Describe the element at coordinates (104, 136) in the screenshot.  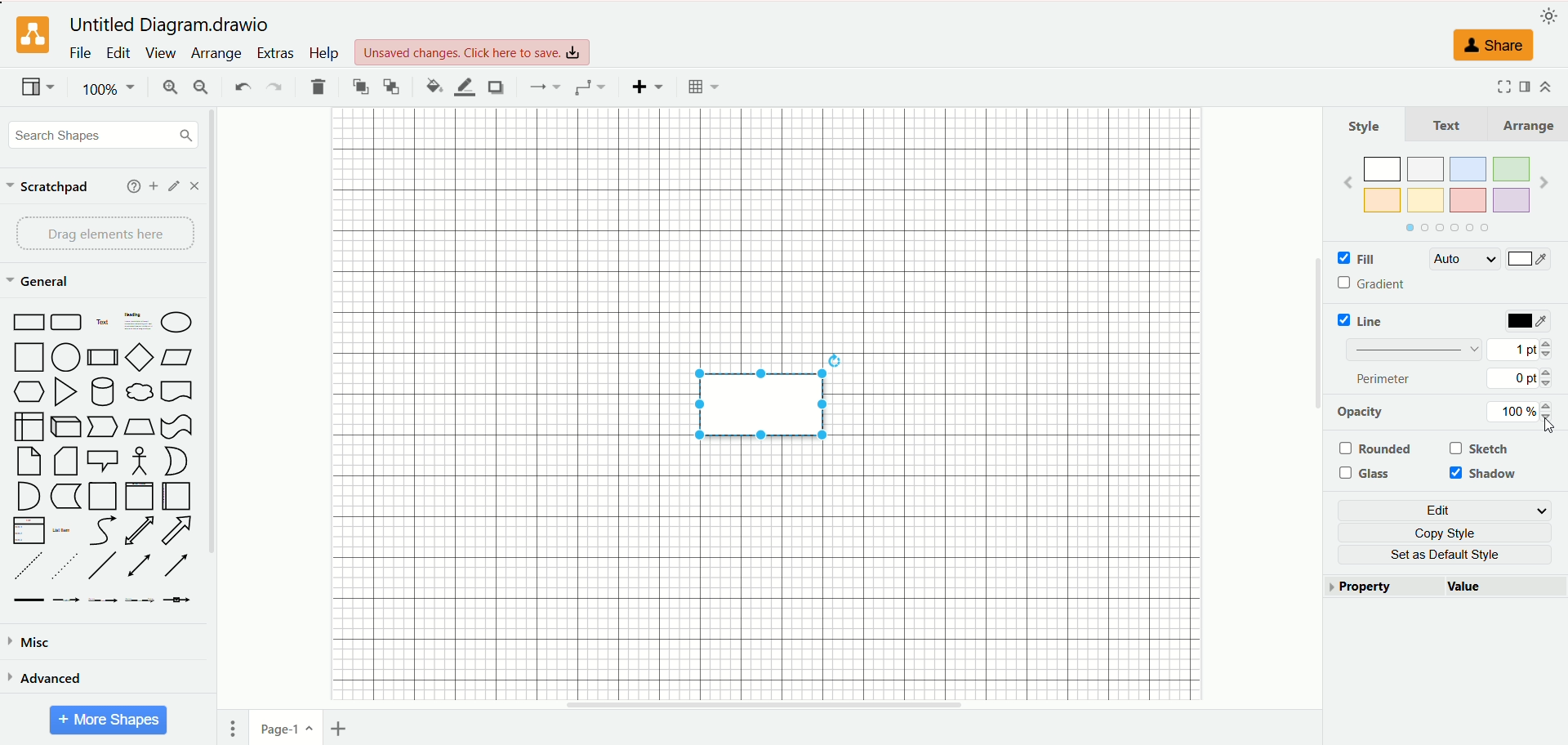
I see `search` at that location.